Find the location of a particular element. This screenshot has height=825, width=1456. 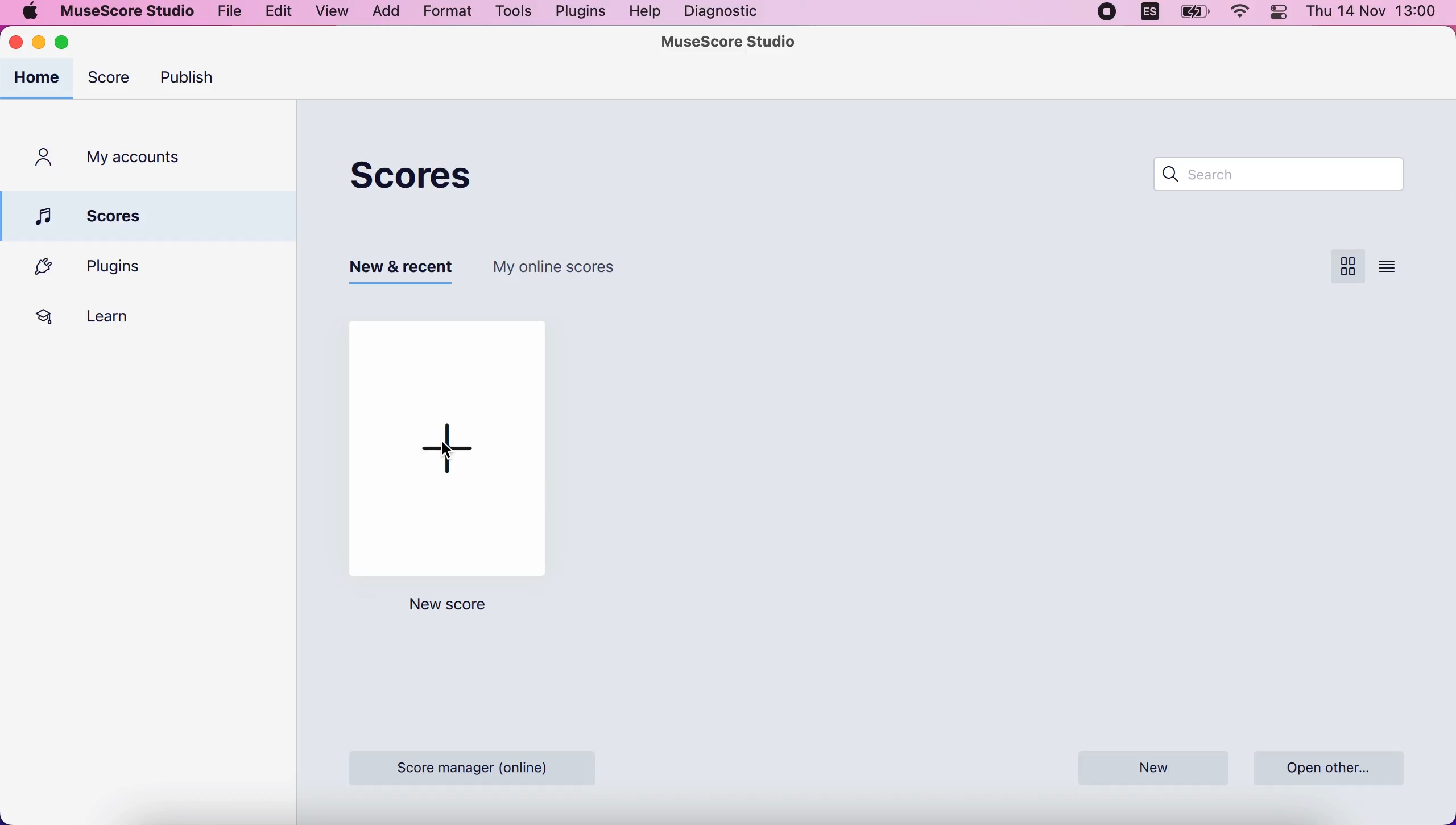

learn is located at coordinates (98, 315).